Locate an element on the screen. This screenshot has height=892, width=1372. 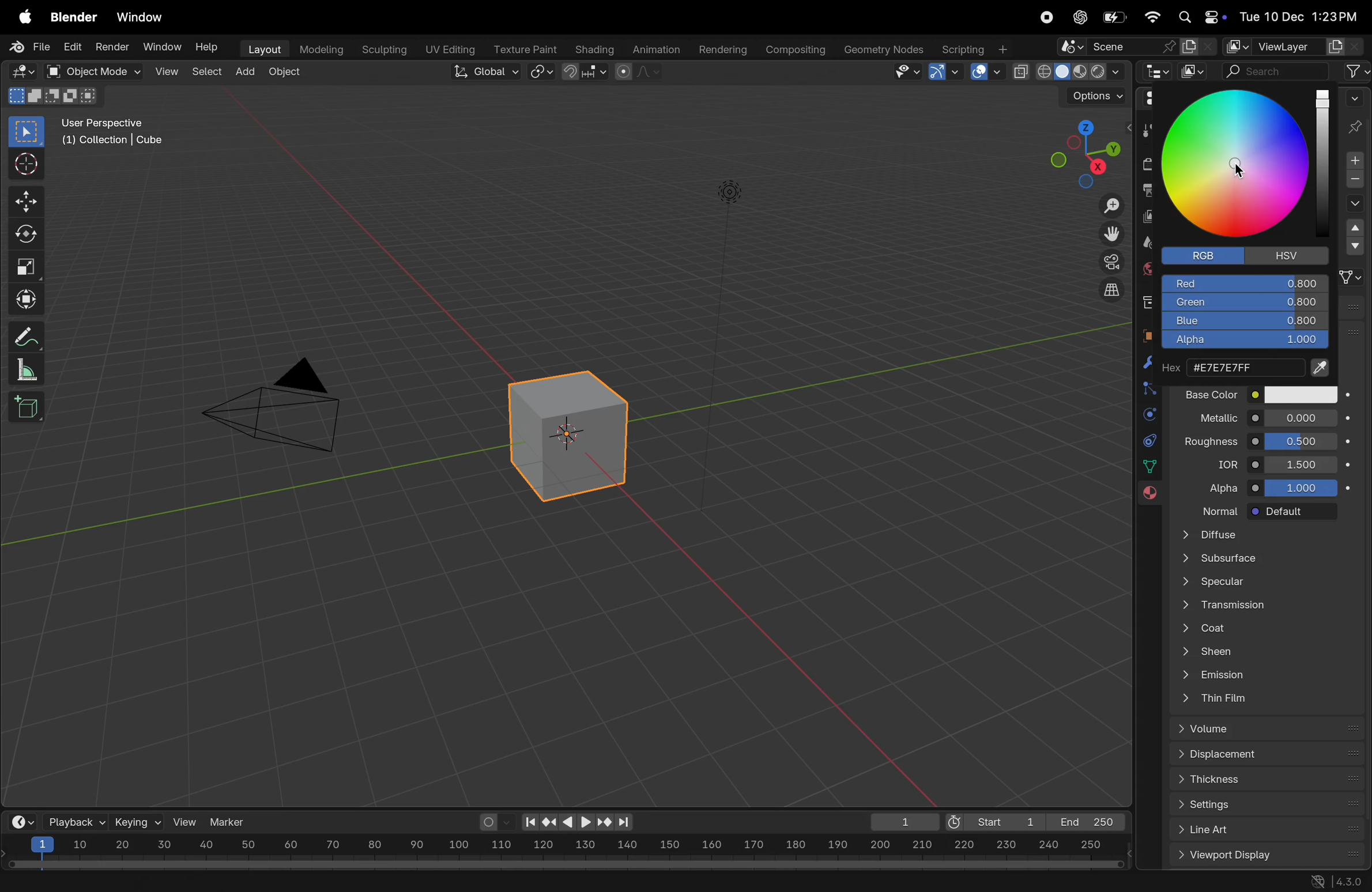
0.00 is located at coordinates (1301, 417).